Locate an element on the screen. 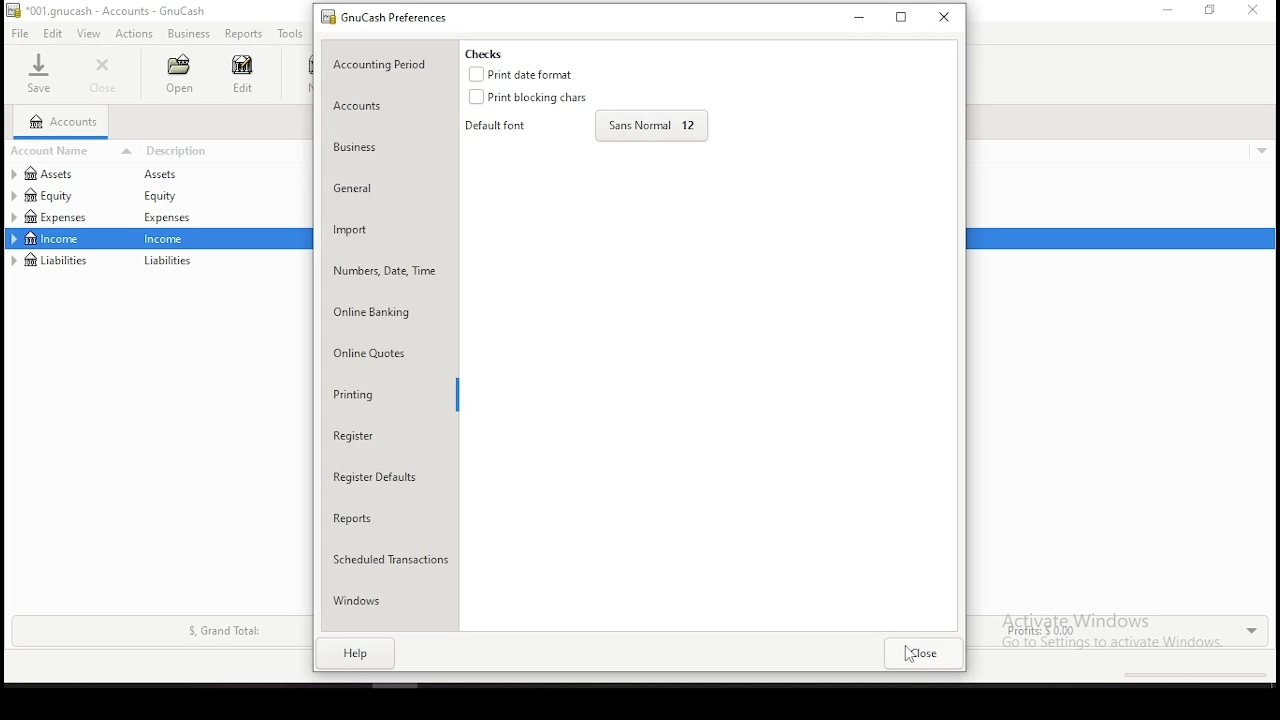 The image size is (1280, 720). checkbox: print blocking character is located at coordinates (535, 96).